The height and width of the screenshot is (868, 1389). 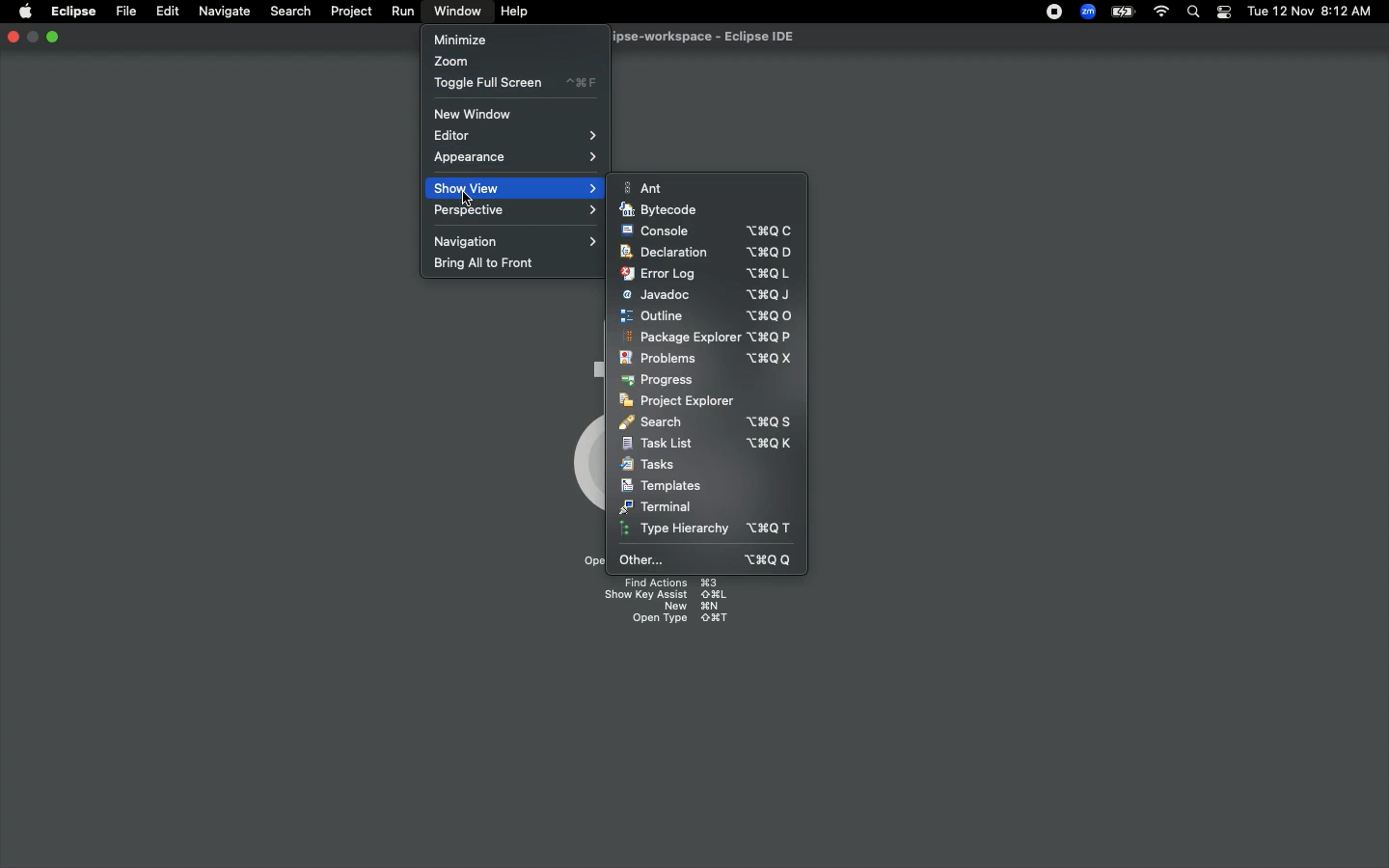 I want to click on Notification, so click(x=1223, y=13).